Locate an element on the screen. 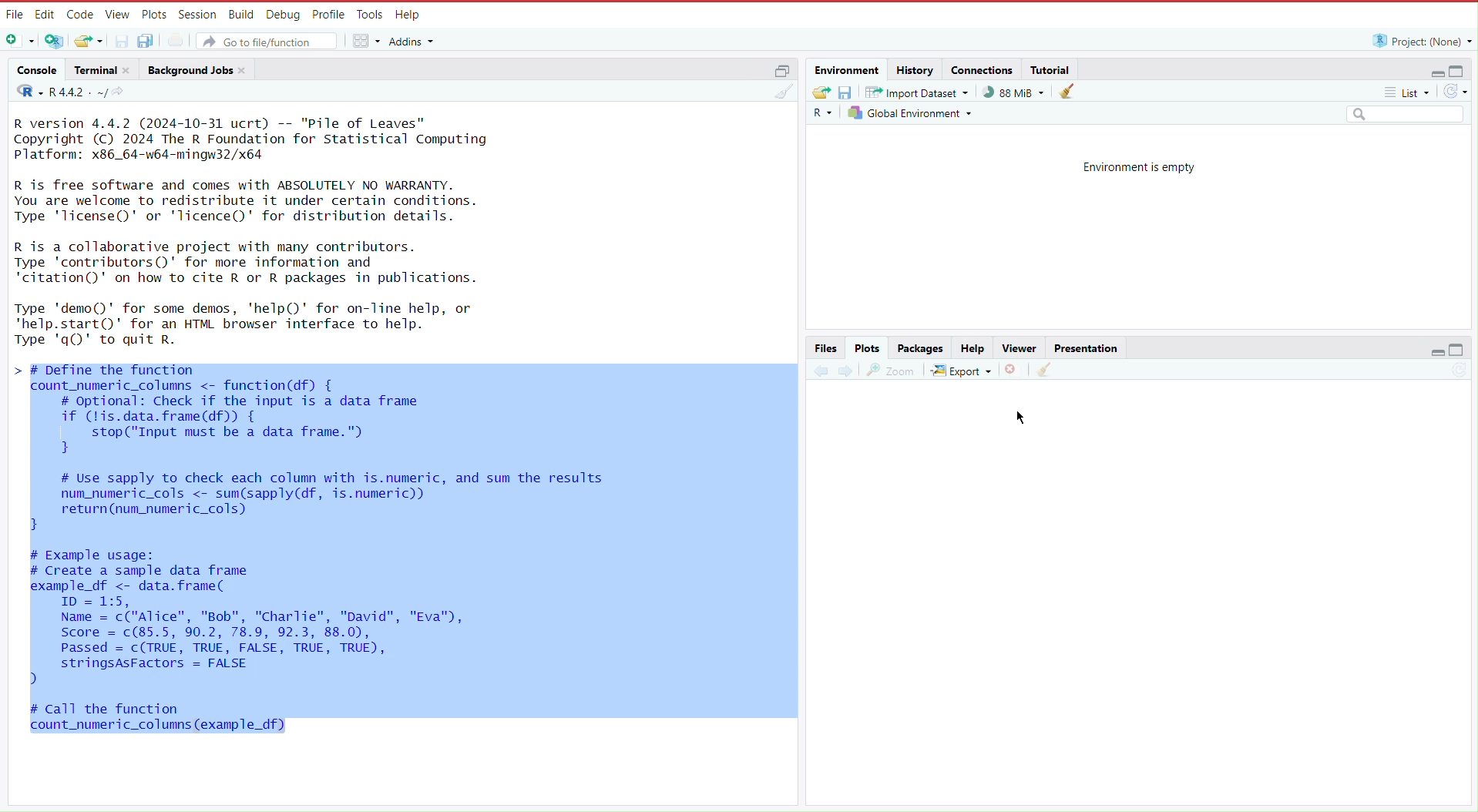 The image size is (1478, 812). 88kib used by R session (Source: Windows System) is located at coordinates (1018, 92).